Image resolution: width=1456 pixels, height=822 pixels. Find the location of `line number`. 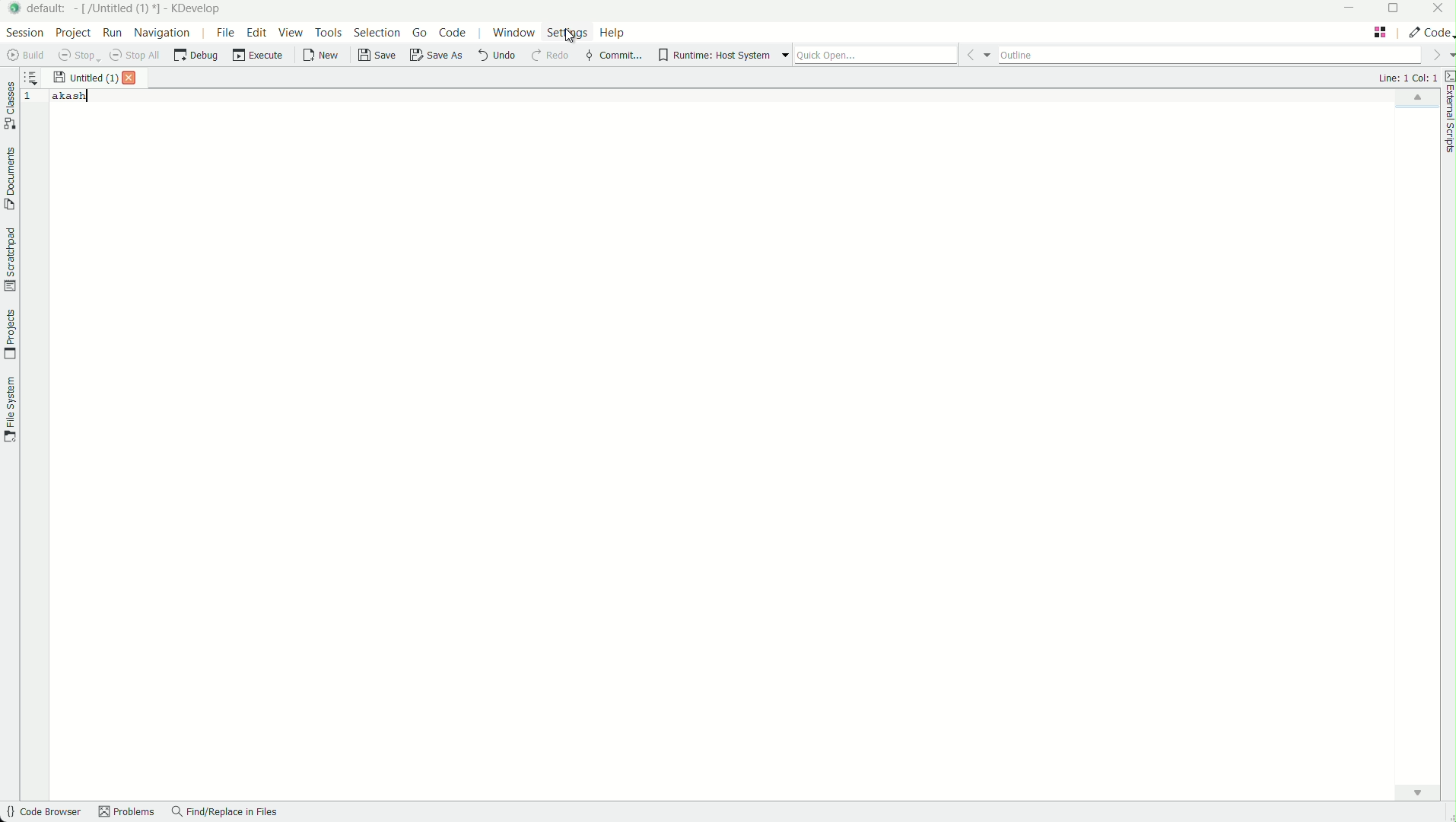

line number is located at coordinates (31, 97).